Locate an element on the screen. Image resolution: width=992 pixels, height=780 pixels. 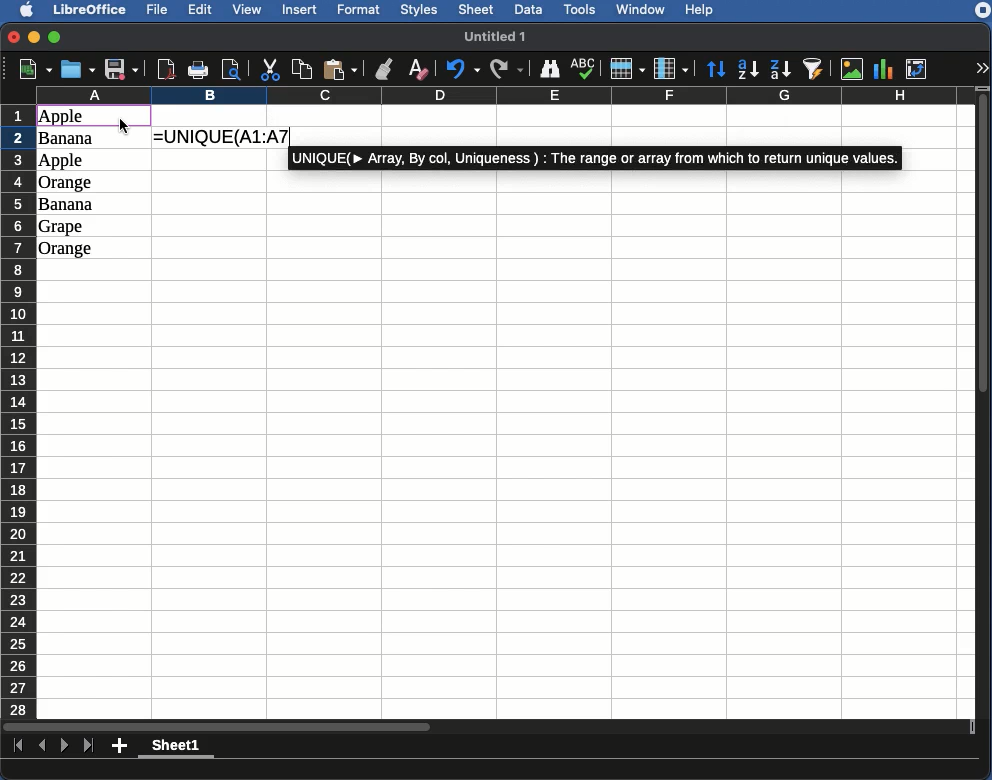
Print is located at coordinates (200, 70).